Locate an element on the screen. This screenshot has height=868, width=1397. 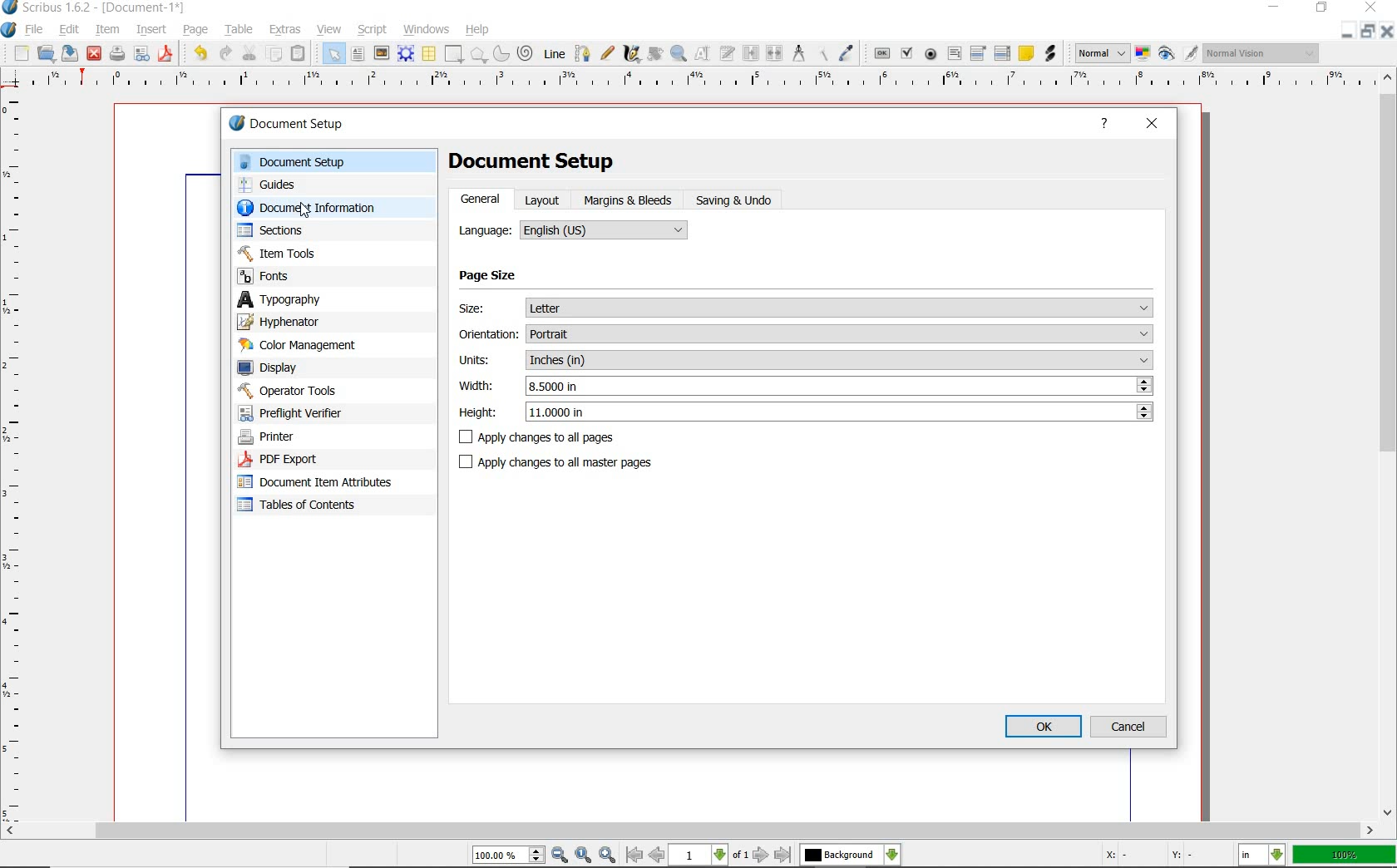
file is located at coordinates (35, 28).